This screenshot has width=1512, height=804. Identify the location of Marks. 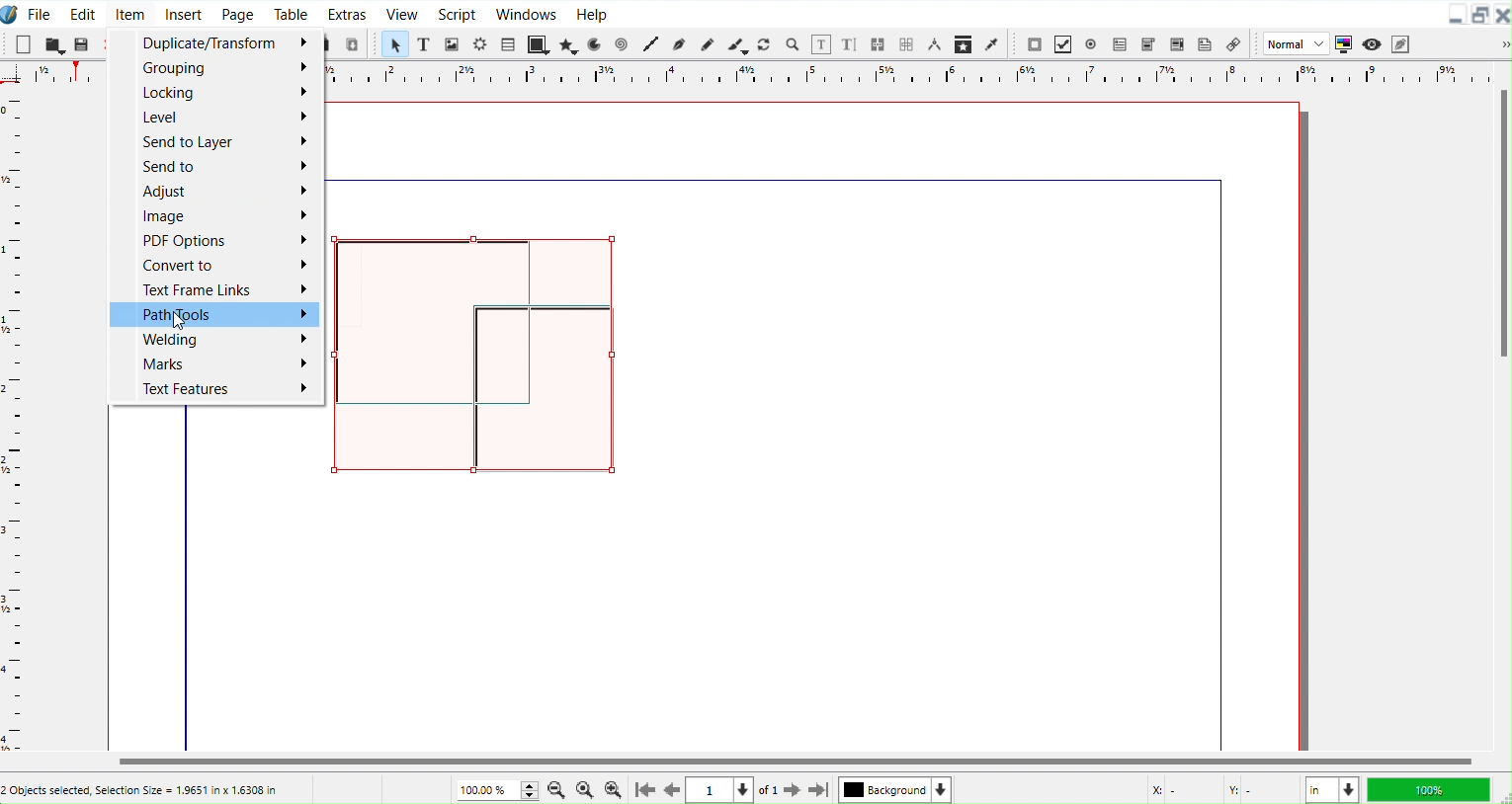
(211, 363).